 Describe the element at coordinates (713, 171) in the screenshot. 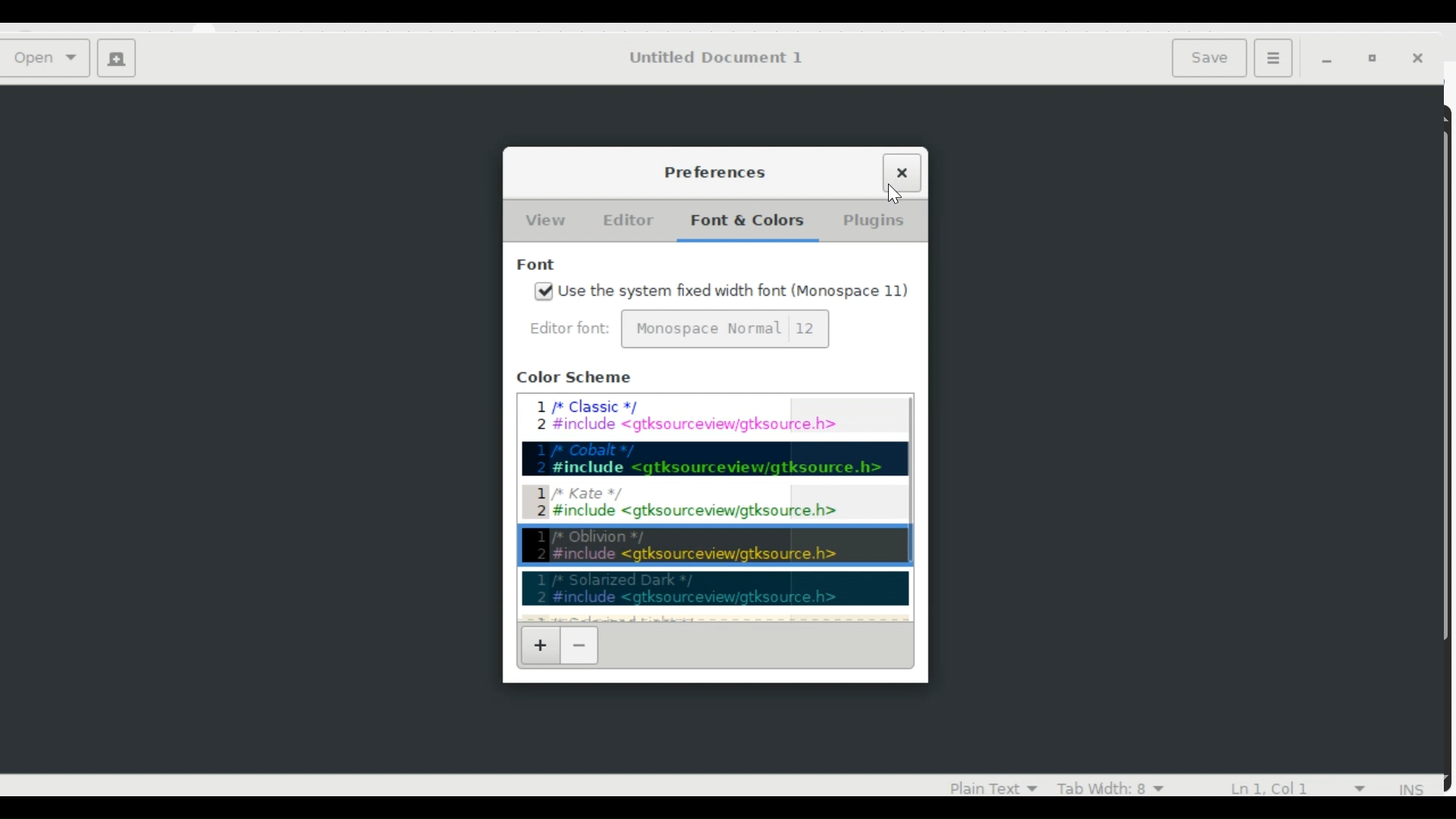

I see `Preferences` at that location.